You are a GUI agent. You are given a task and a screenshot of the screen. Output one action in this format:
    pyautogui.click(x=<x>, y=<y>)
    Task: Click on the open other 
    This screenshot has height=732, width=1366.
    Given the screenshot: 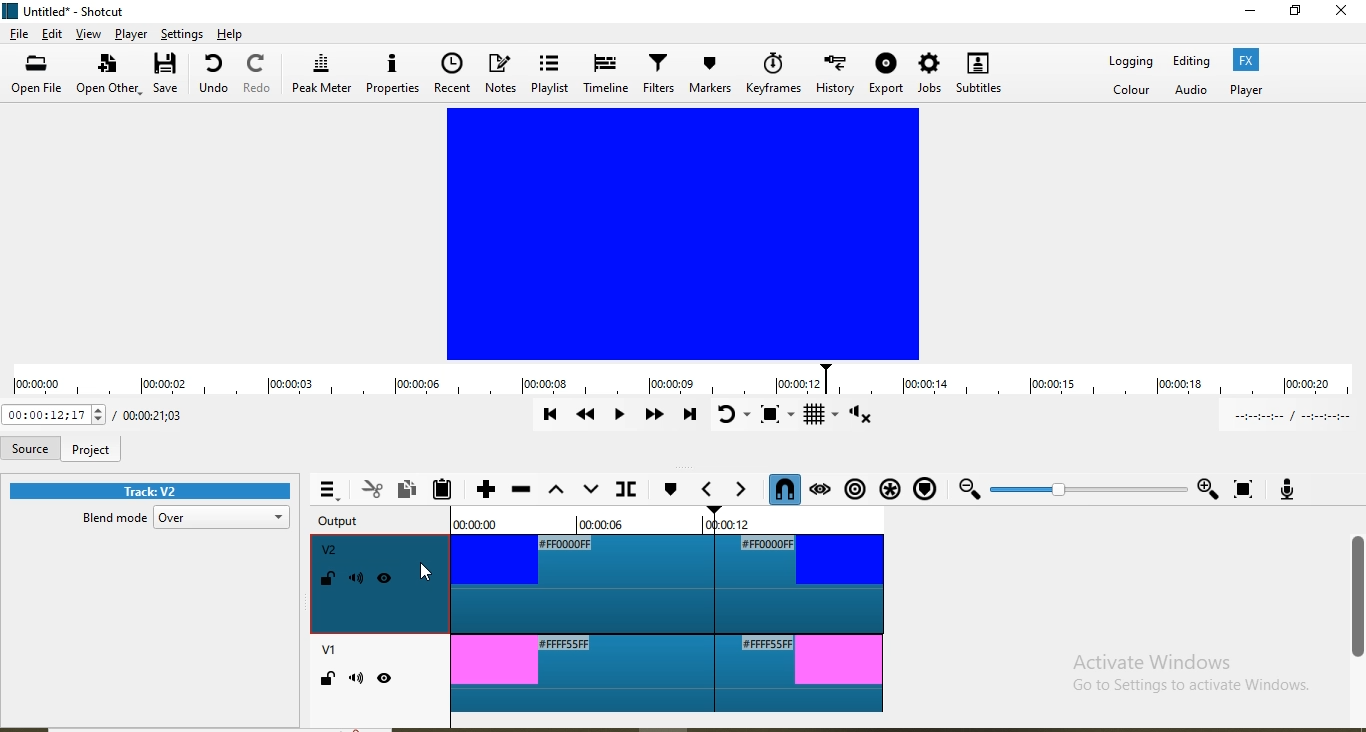 What is the action you would take?
    pyautogui.click(x=109, y=78)
    